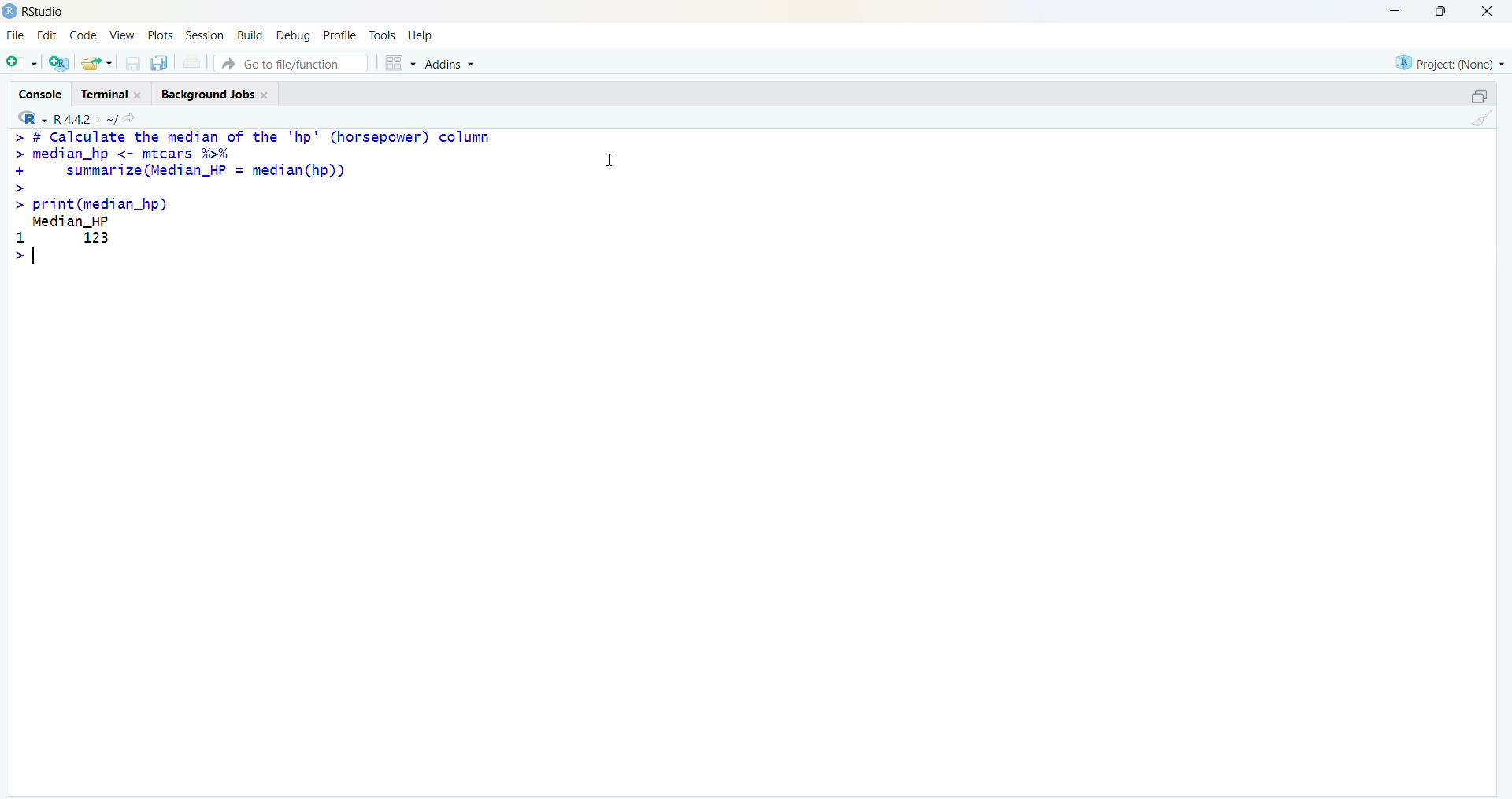 The height and width of the screenshot is (799, 1512). I want to click on grid, so click(401, 62).